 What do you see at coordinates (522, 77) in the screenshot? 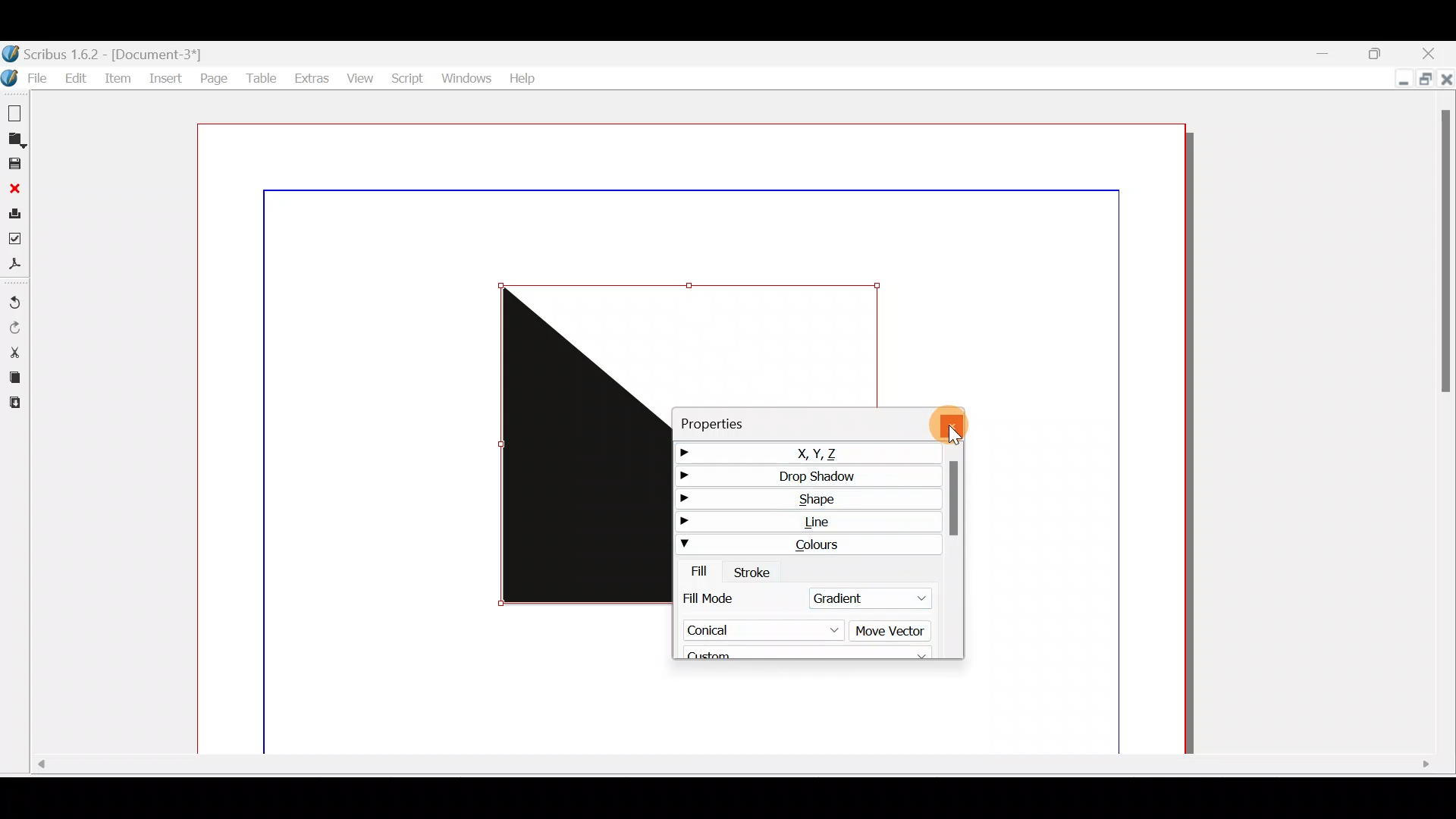
I see `Help` at bounding box center [522, 77].